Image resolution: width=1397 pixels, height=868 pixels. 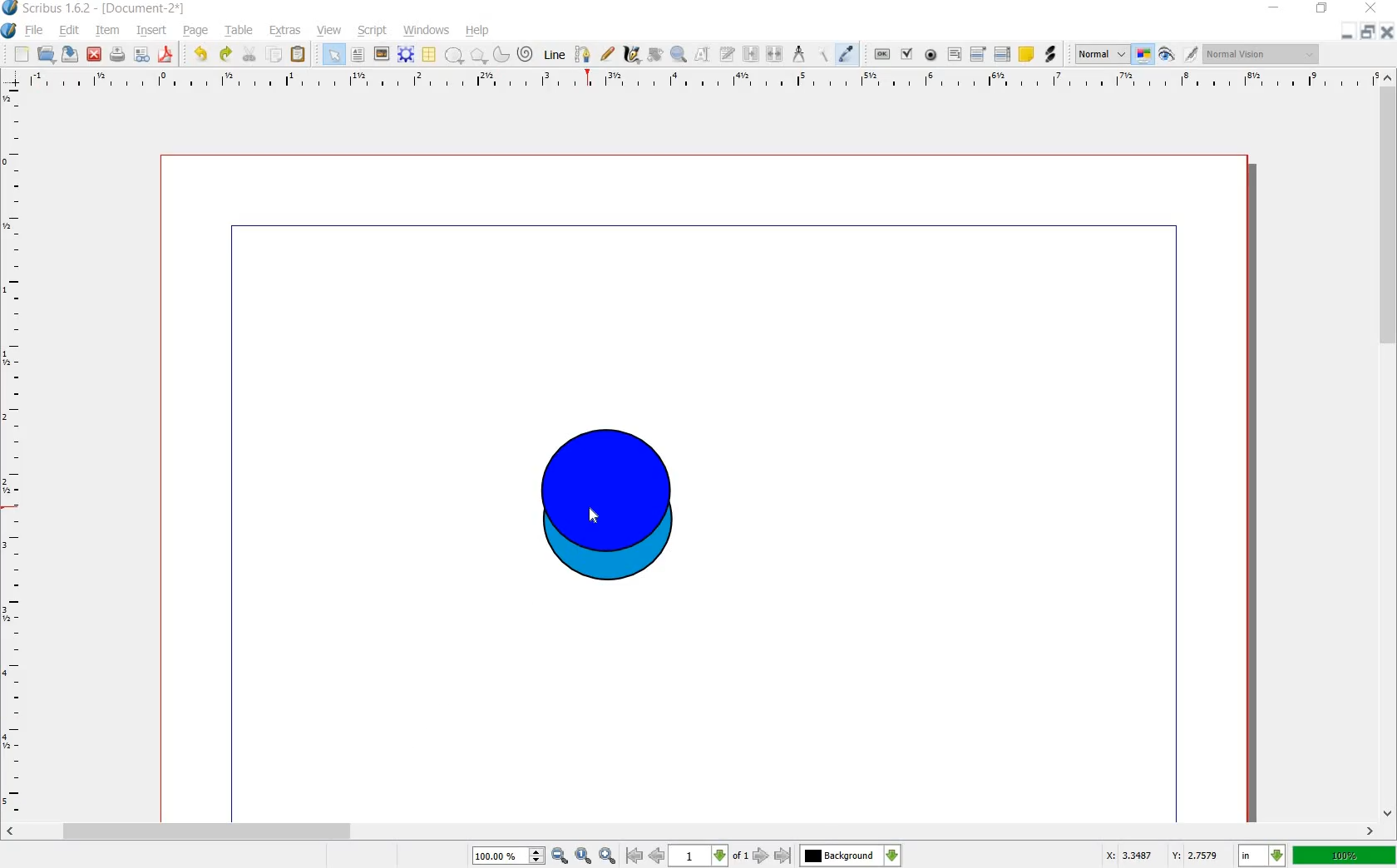 I want to click on cut, so click(x=251, y=55).